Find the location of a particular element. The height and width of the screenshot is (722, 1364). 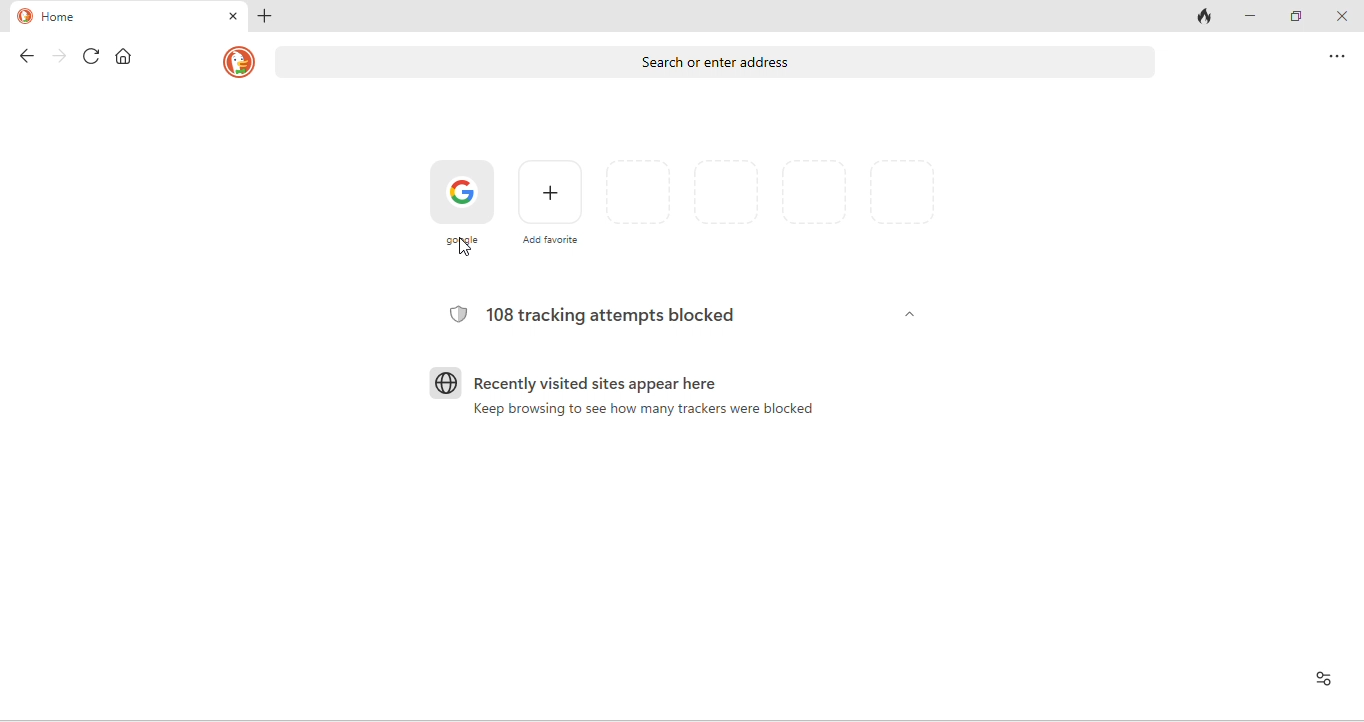

home is located at coordinates (122, 56).